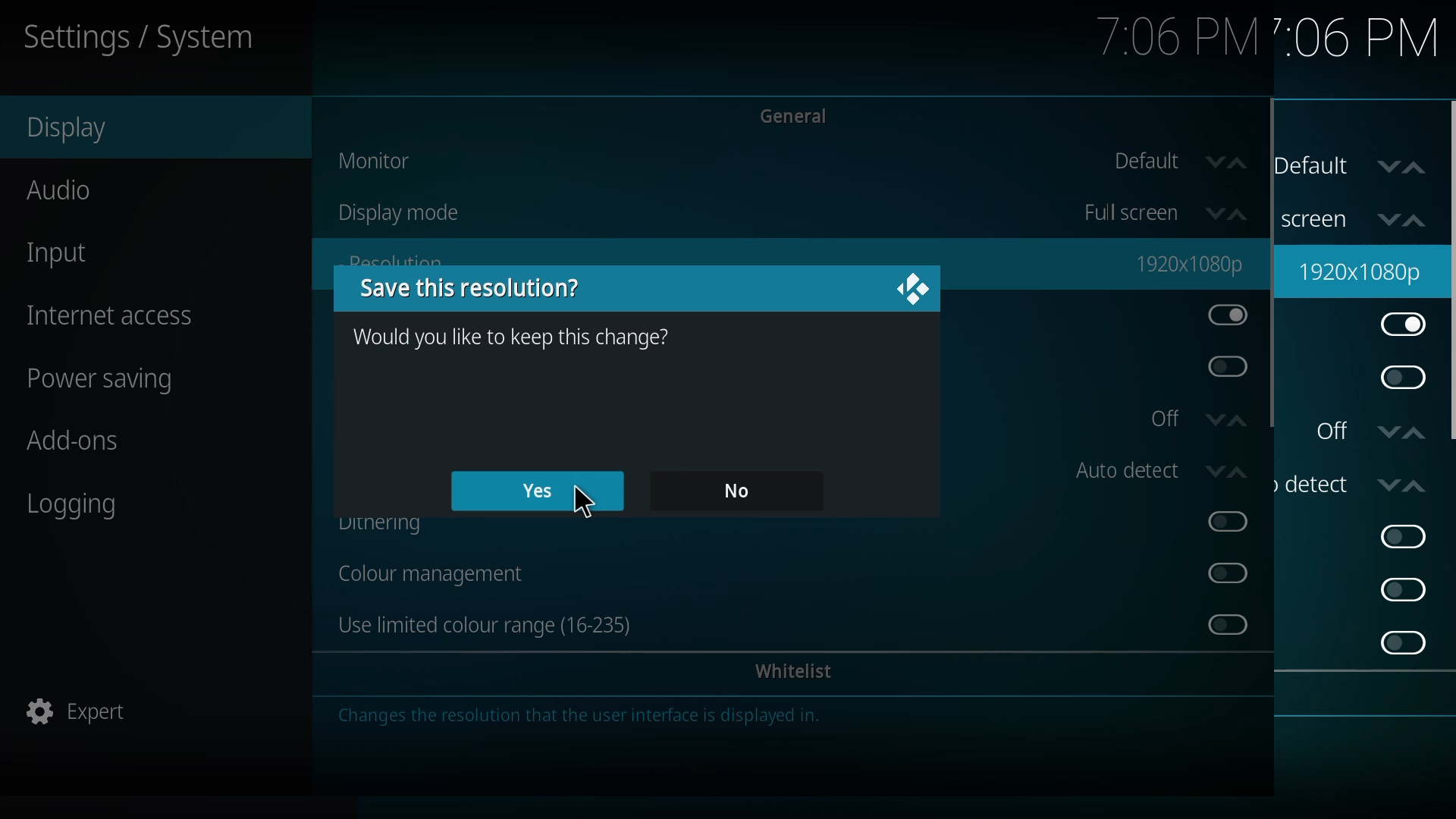  What do you see at coordinates (1179, 162) in the screenshot?
I see `default` at bounding box center [1179, 162].